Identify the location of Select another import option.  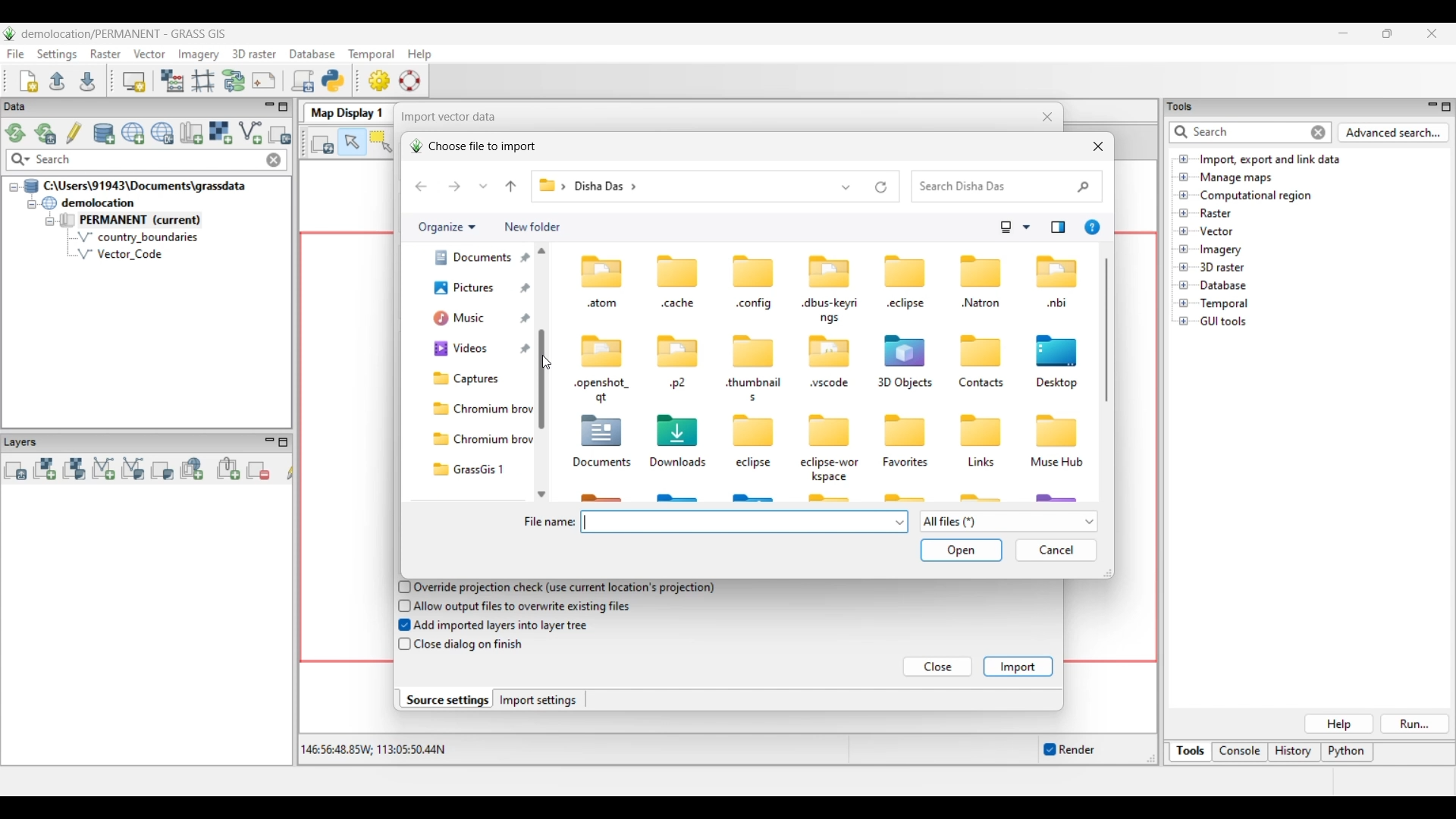
(279, 134).